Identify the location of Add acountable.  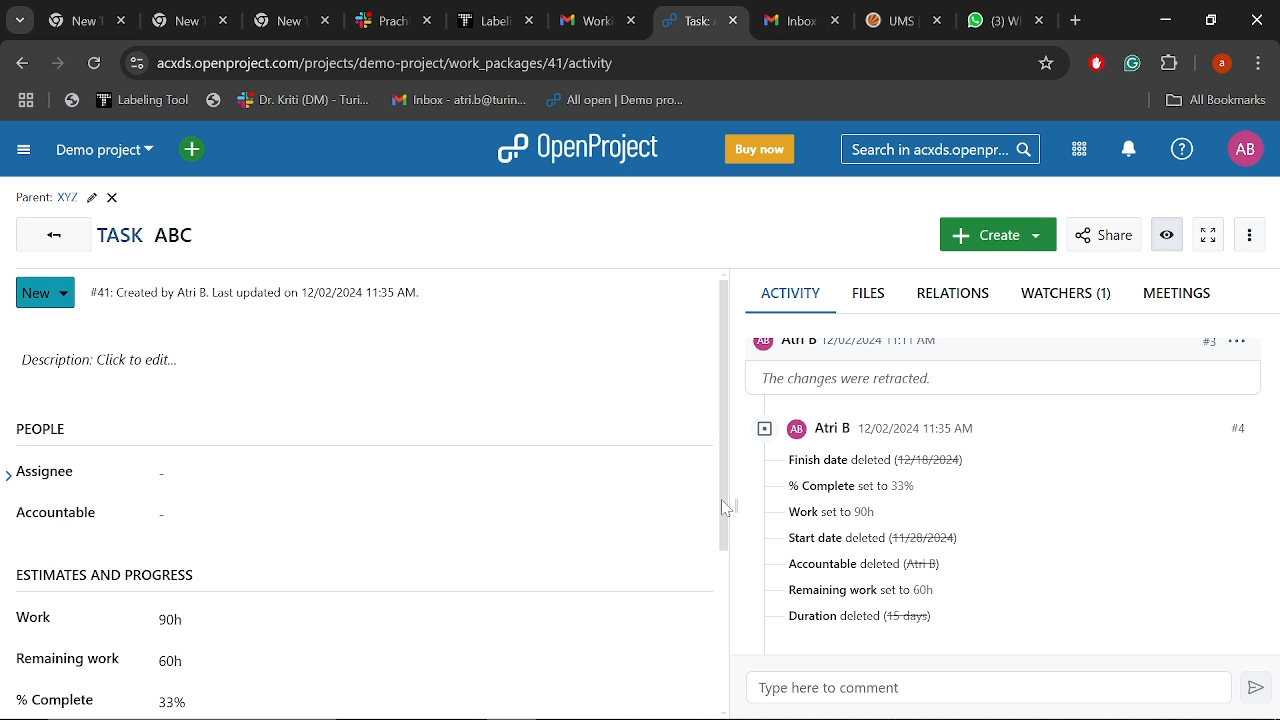
(411, 512).